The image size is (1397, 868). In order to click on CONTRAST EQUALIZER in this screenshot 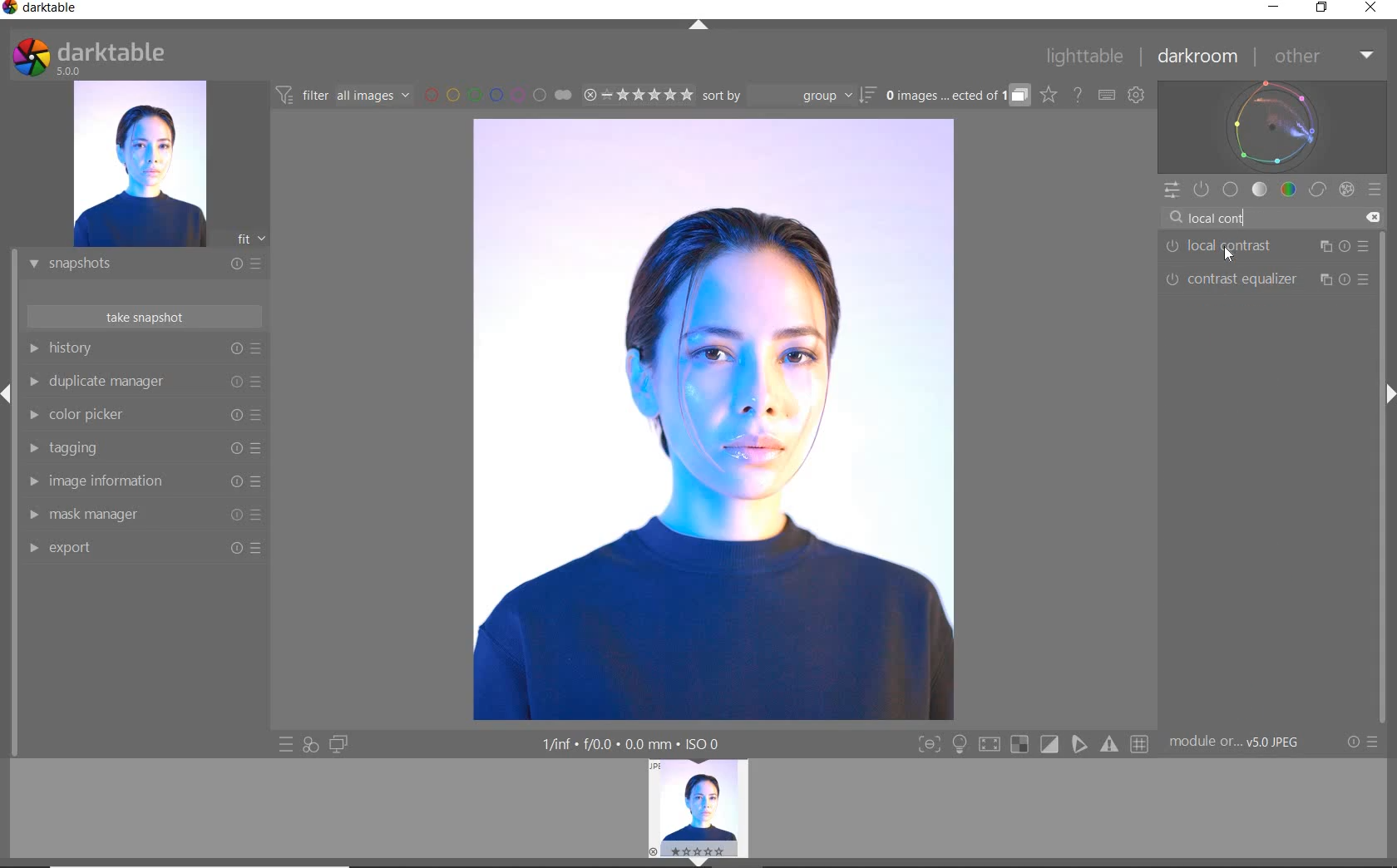, I will do `click(1266, 280)`.